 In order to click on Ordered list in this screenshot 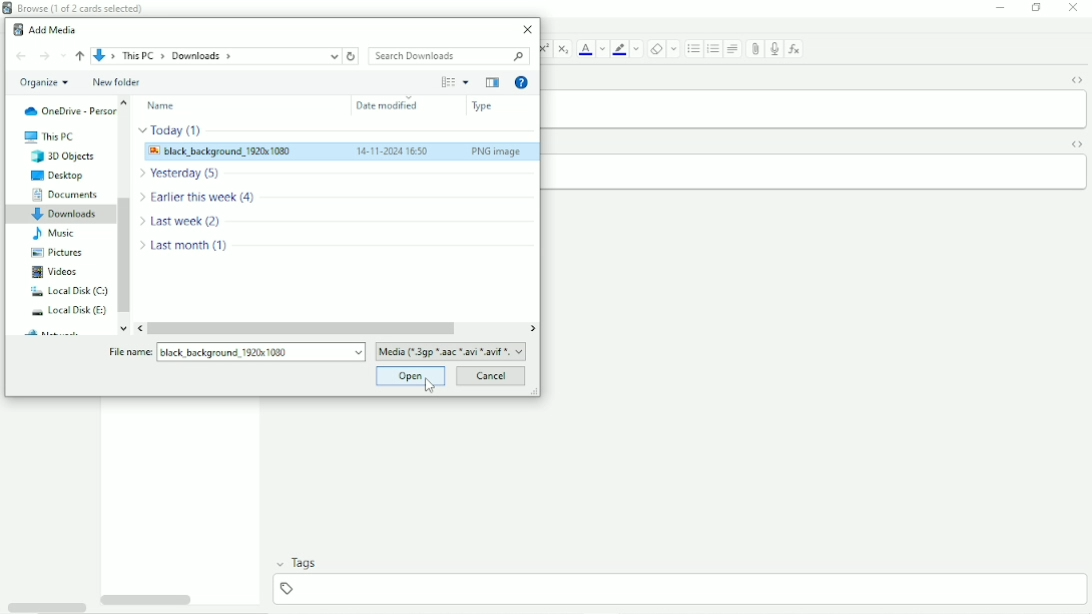, I will do `click(713, 49)`.